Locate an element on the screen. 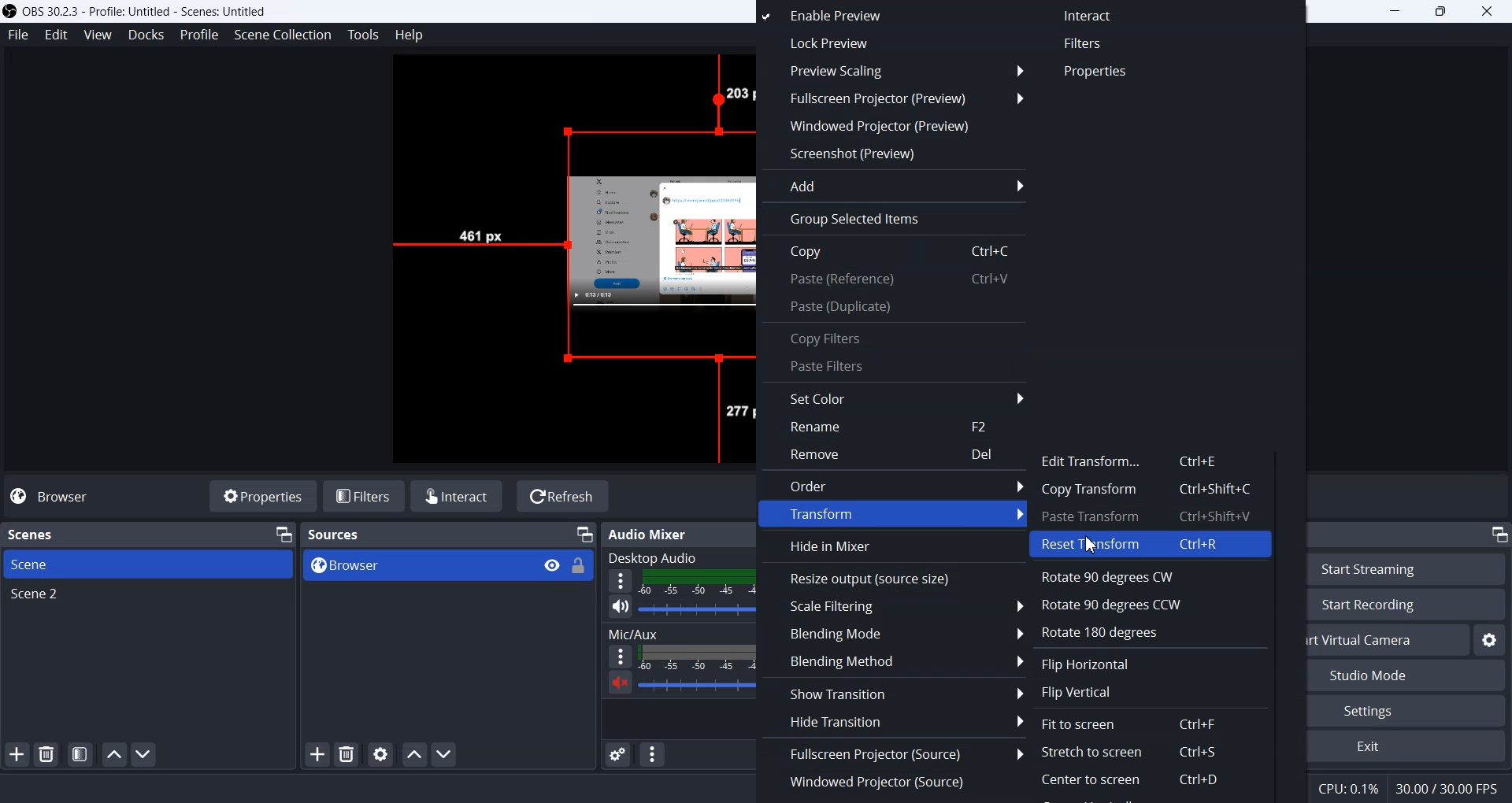 The width and height of the screenshot is (1512, 803). Interact is located at coordinates (1090, 17).